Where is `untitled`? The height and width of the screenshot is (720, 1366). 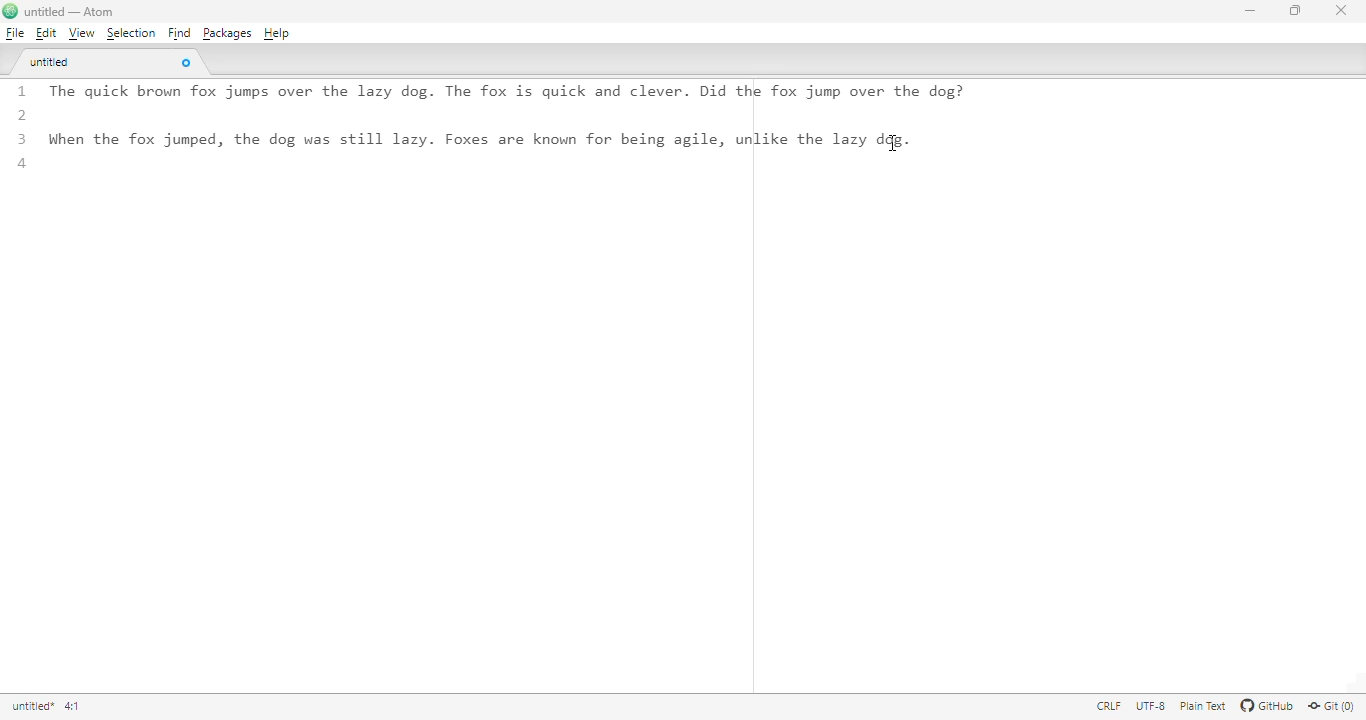 untitled is located at coordinates (52, 63).